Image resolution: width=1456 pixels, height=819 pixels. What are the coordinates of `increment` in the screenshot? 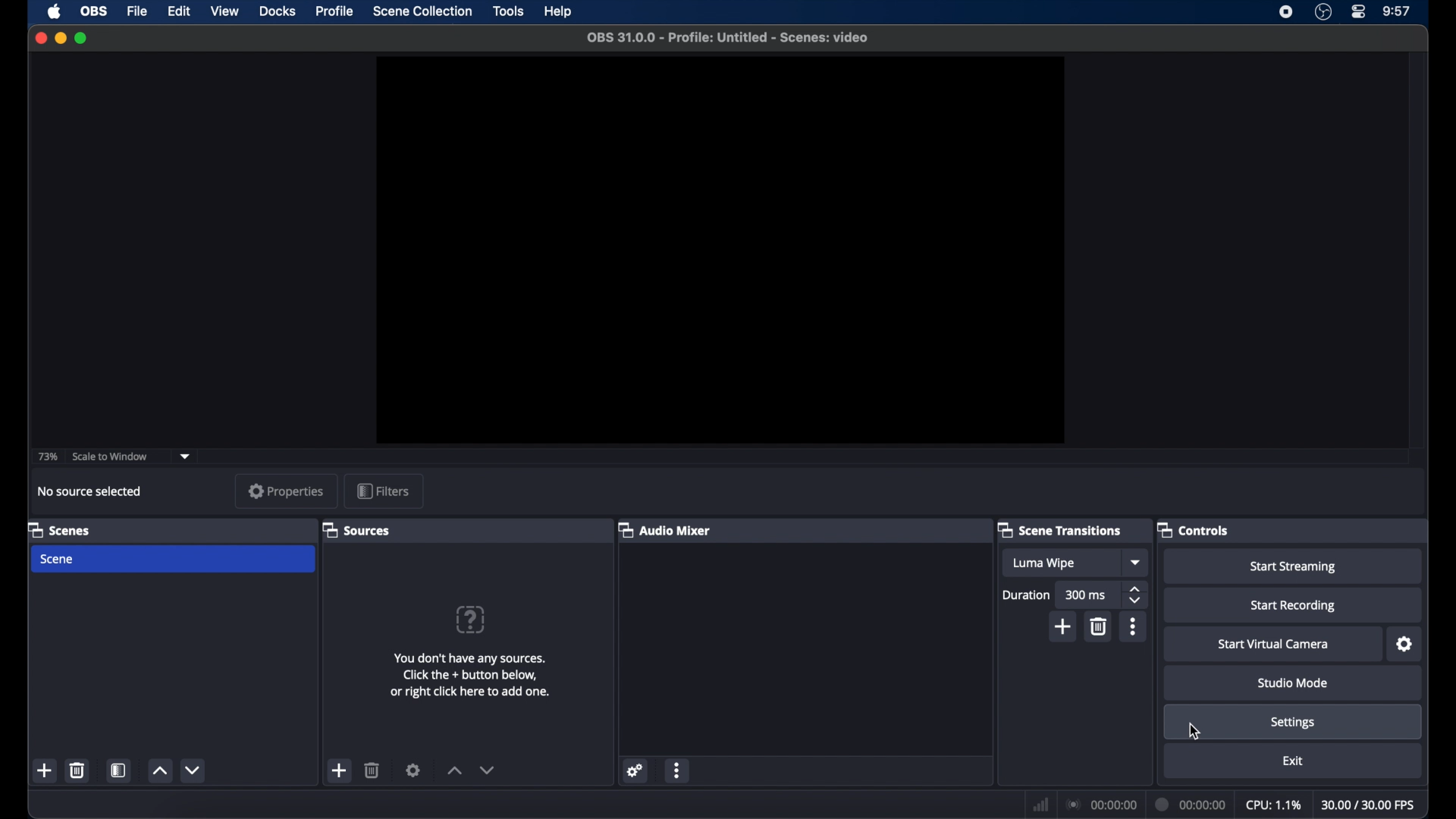 It's located at (455, 771).